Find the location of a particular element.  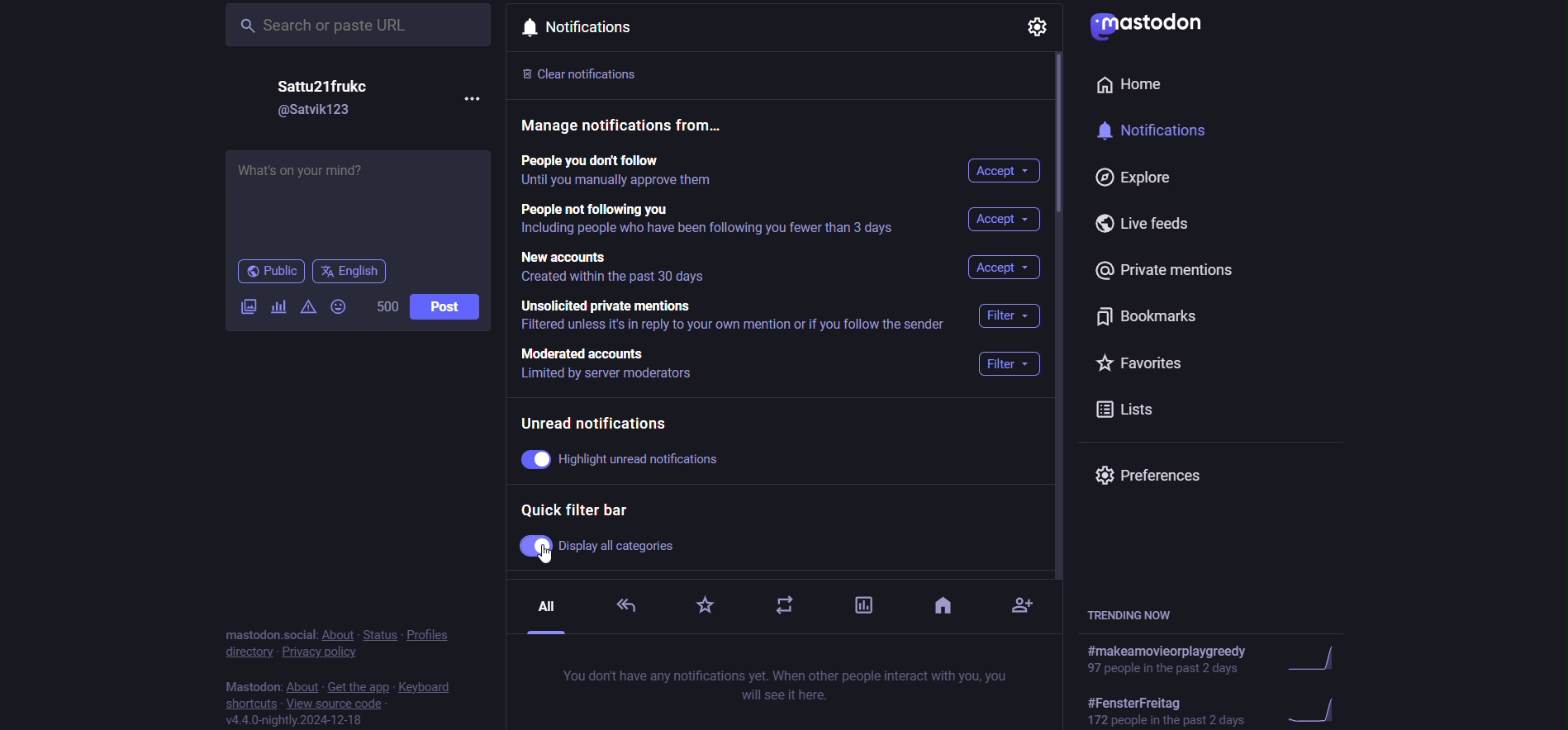

Filter is located at coordinates (1009, 365).